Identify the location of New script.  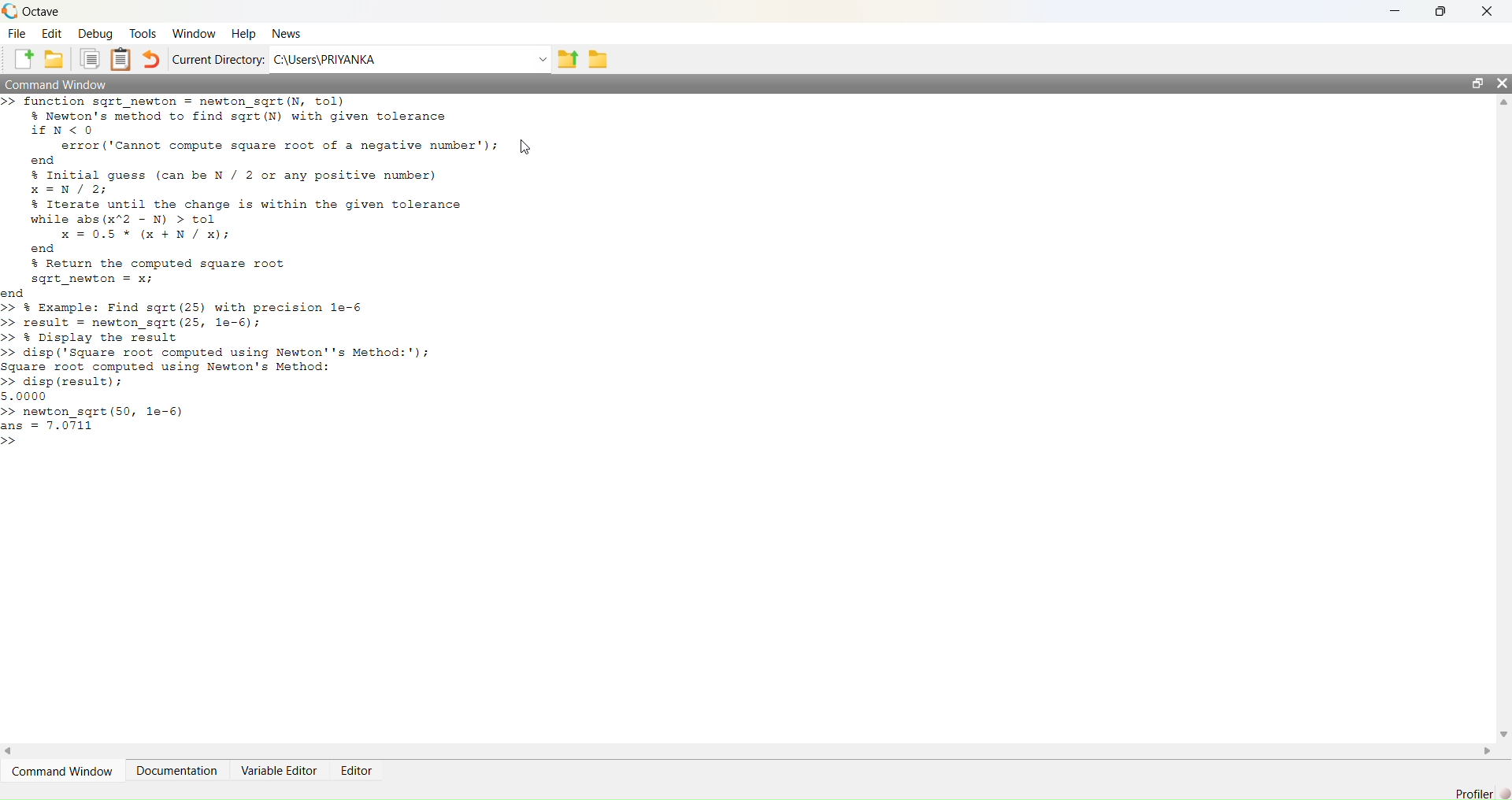
(24, 59).